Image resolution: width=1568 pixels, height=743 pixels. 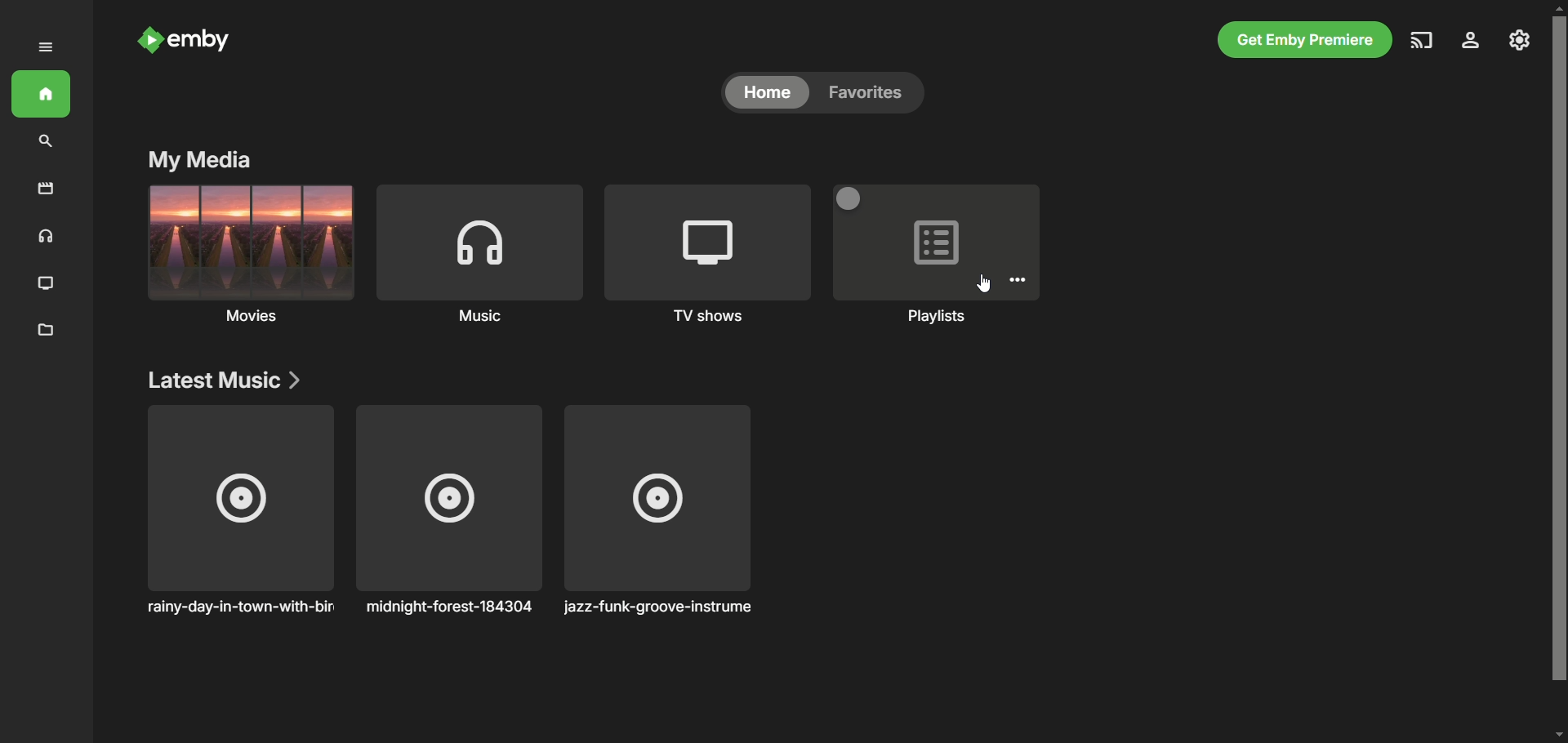 What do you see at coordinates (708, 255) in the screenshot?
I see `TV shows` at bounding box center [708, 255].